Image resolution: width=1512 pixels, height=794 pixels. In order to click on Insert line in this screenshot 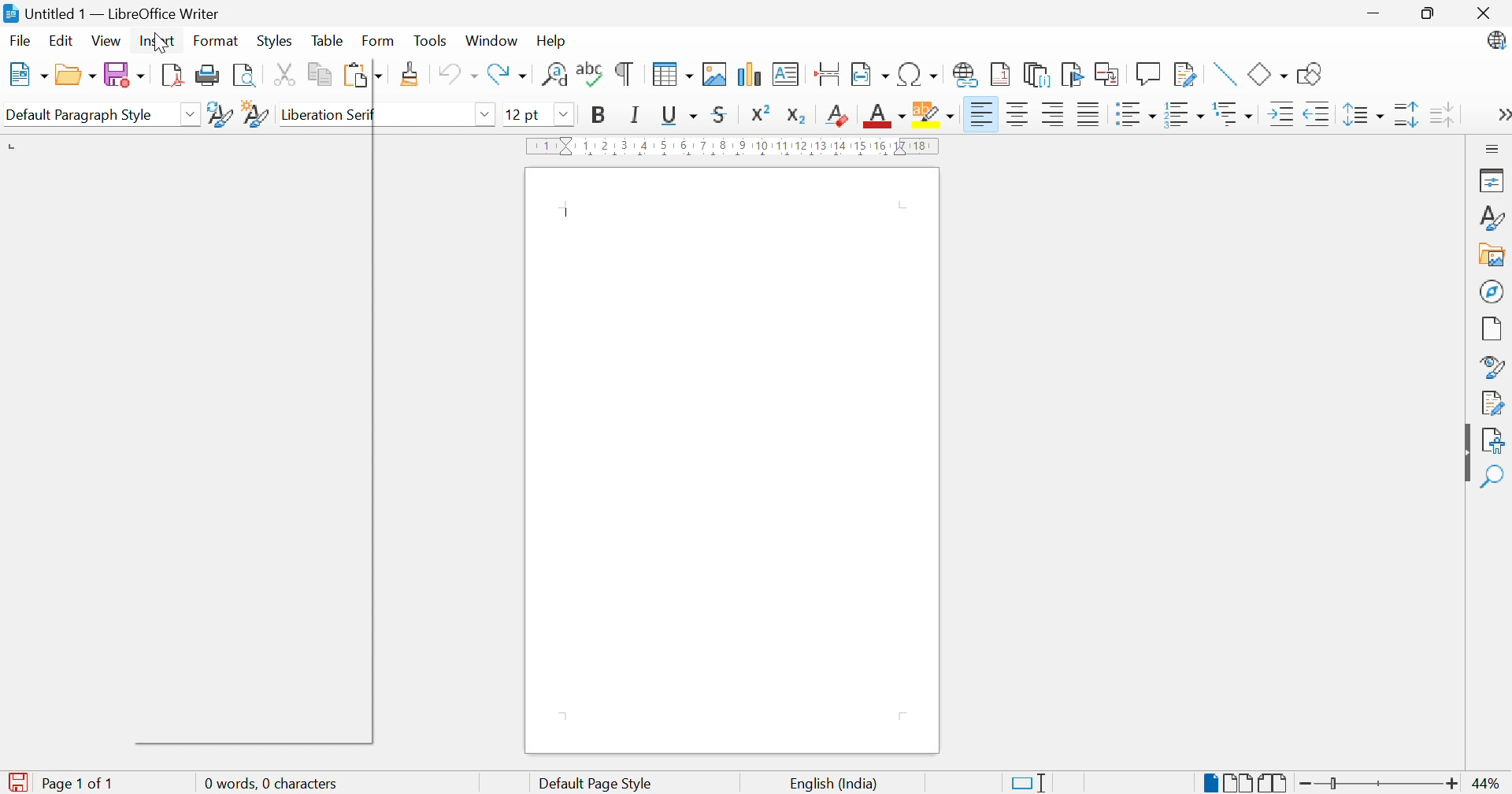, I will do `click(1222, 74)`.